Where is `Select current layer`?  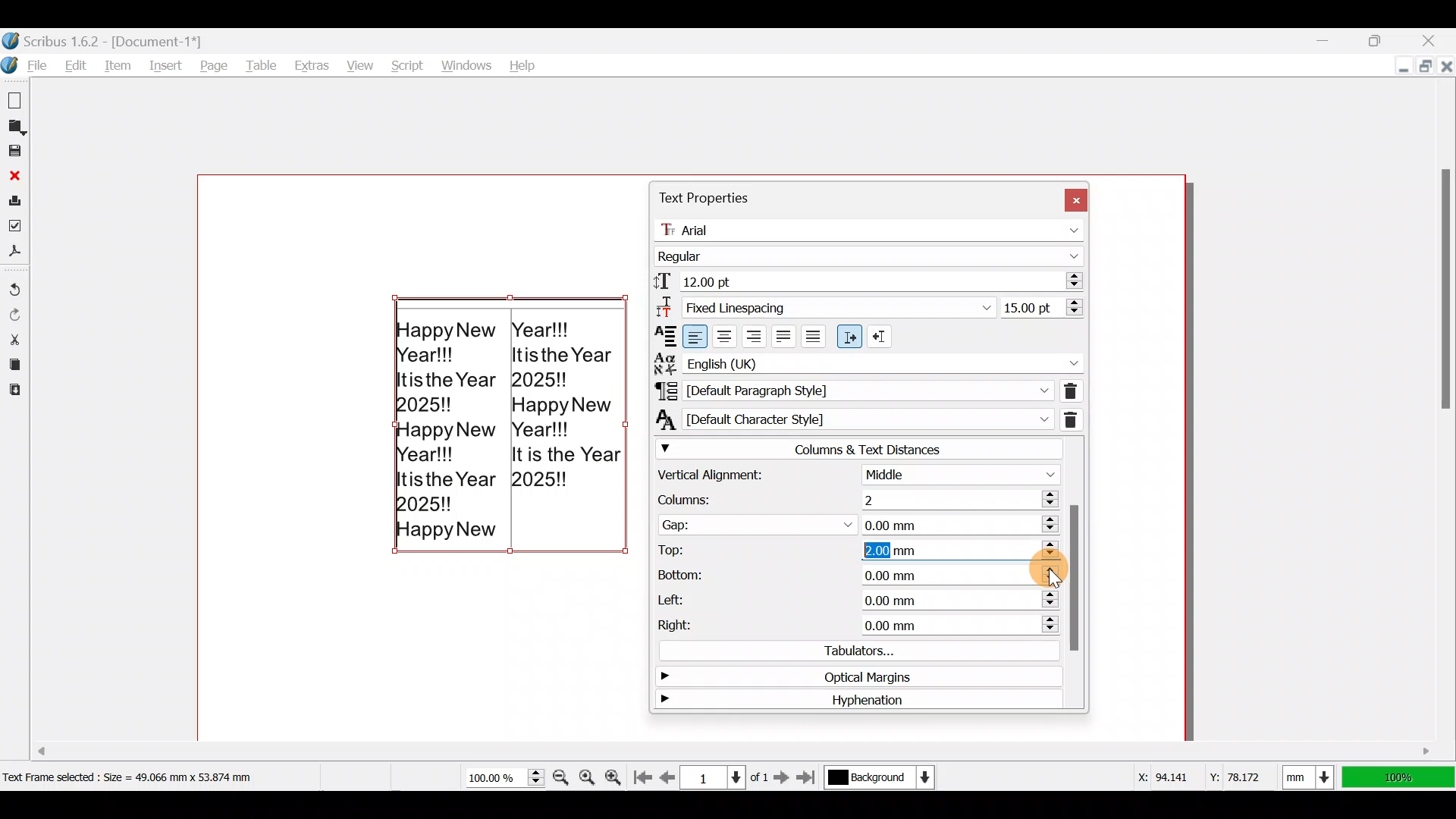 Select current layer is located at coordinates (878, 778).